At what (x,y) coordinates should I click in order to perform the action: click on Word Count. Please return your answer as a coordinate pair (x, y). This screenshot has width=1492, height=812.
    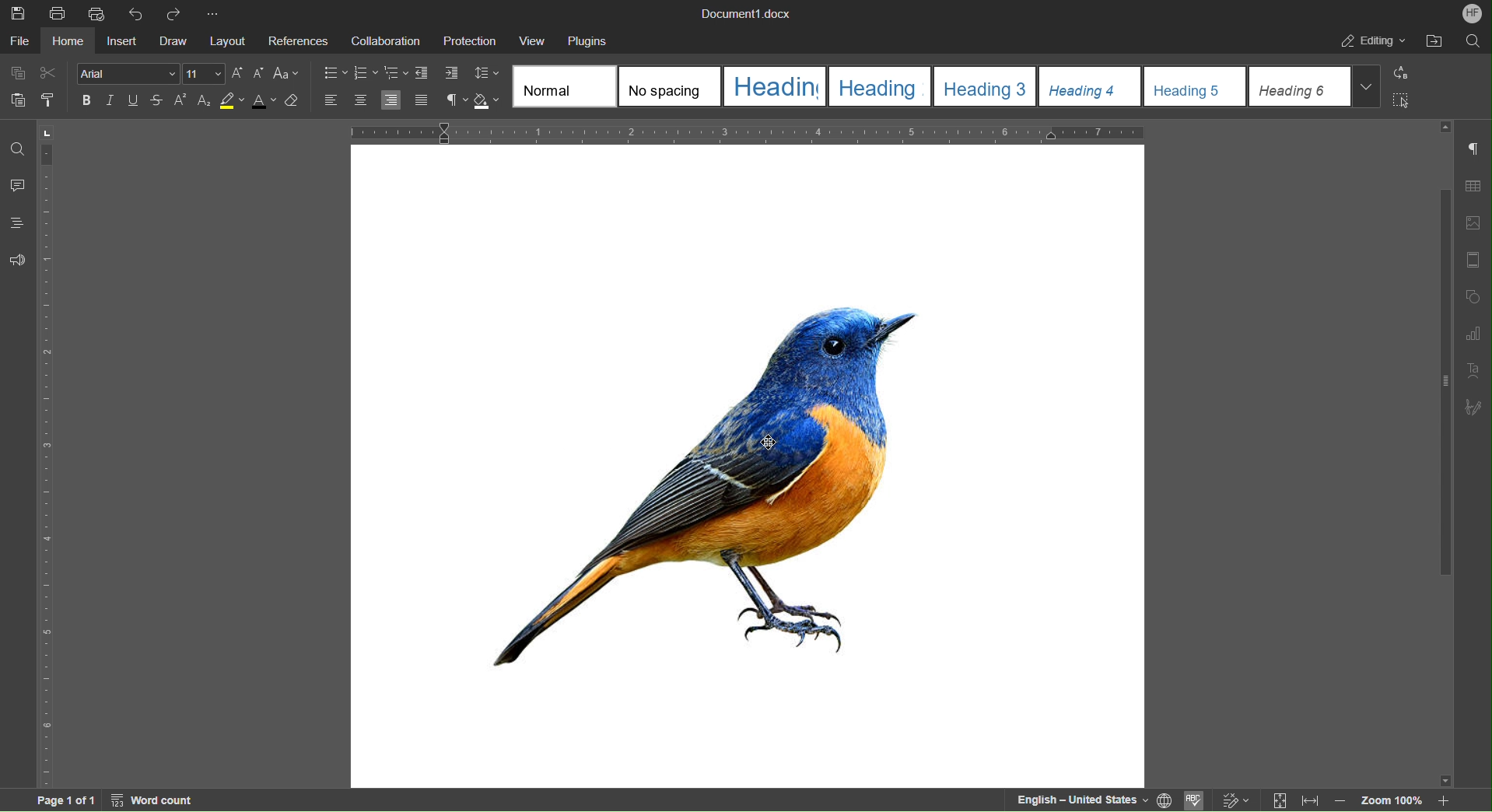
    Looking at the image, I should click on (156, 800).